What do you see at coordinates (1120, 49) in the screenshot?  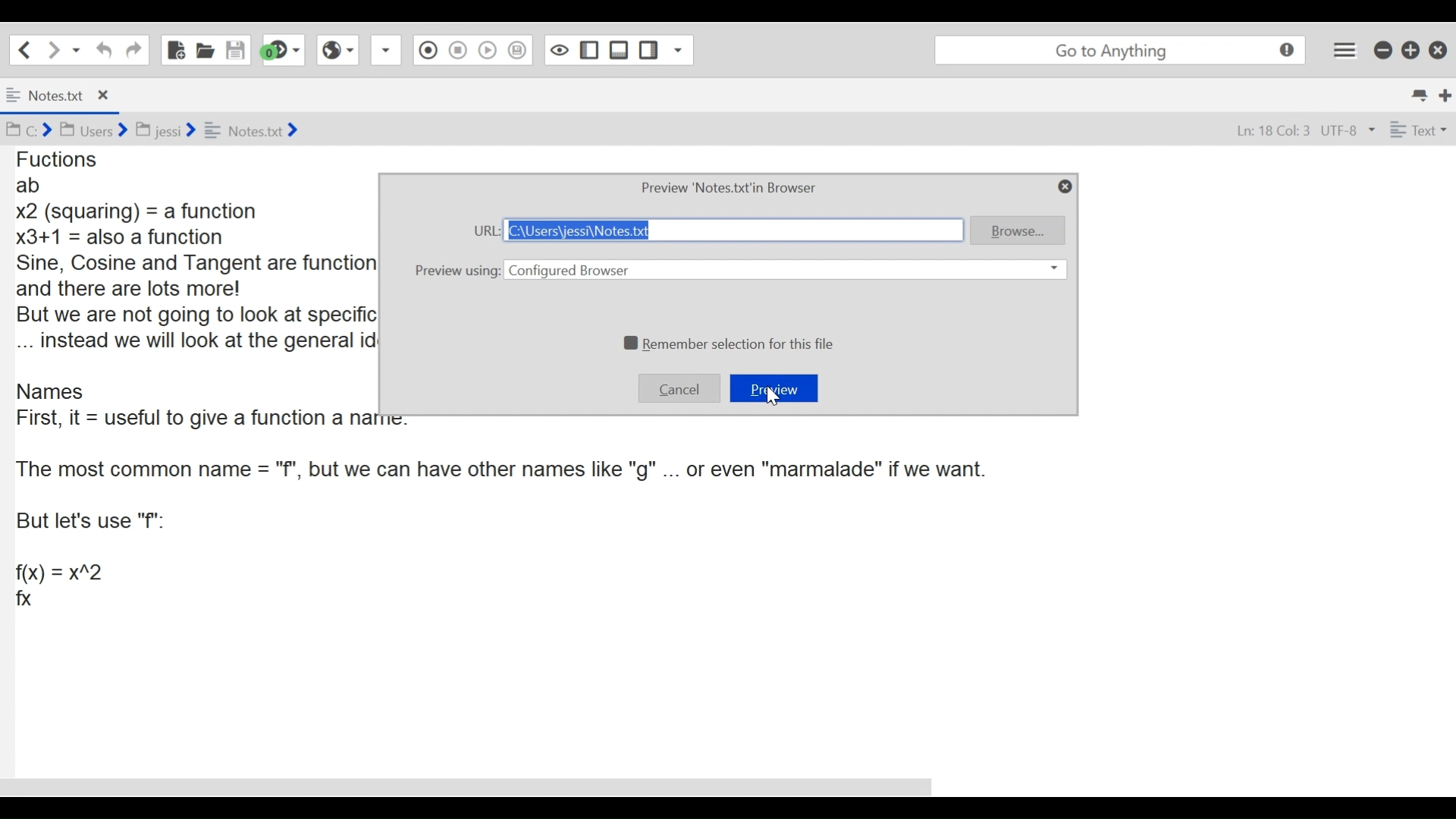 I see `go to anything` at bounding box center [1120, 49].